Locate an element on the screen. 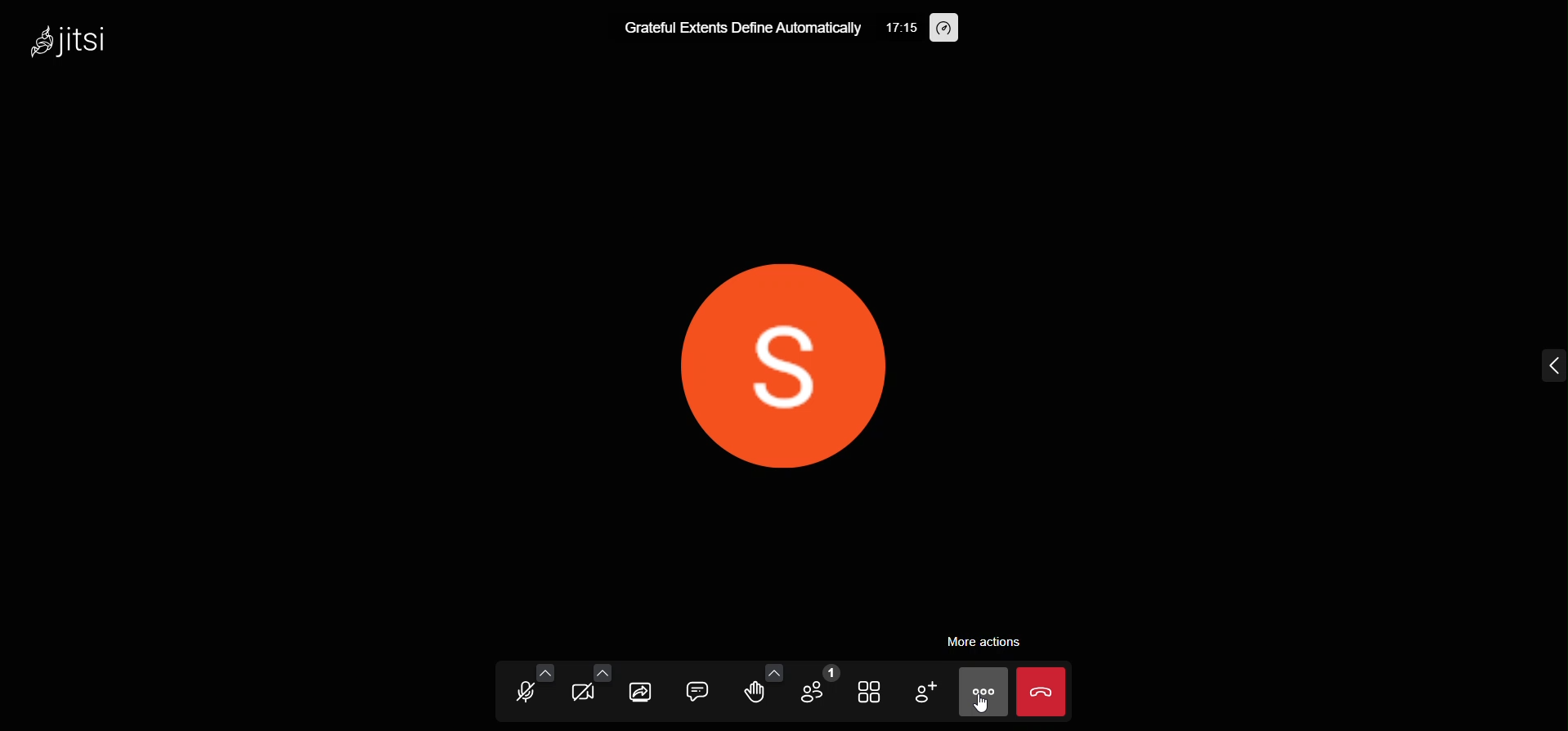 Image resolution: width=1568 pixels, height=731 pixels. screen share is located at coordinates (639, 693).